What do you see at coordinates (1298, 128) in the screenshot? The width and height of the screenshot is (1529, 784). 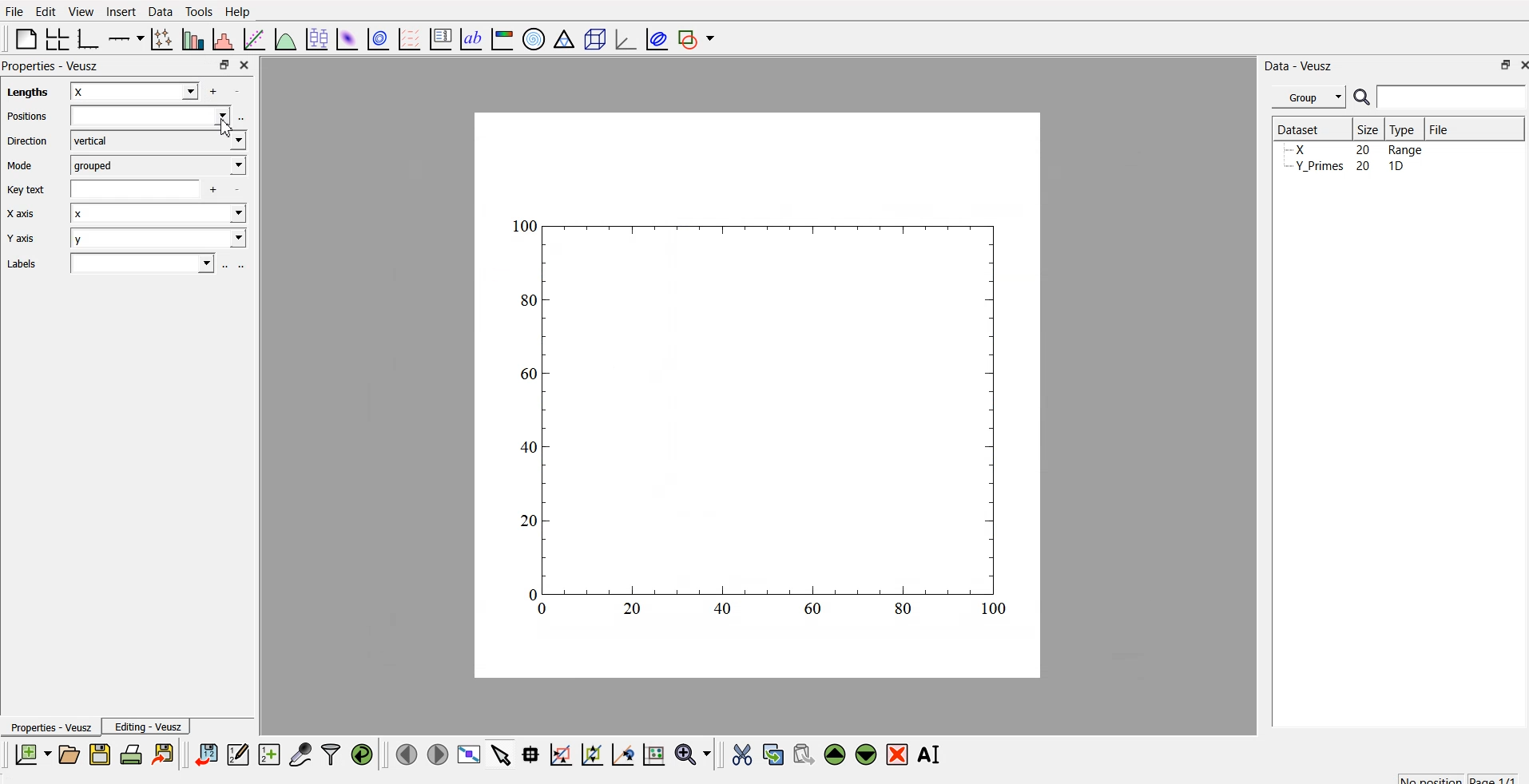 I see `| Dataset` at bounding box center [1298, 128].